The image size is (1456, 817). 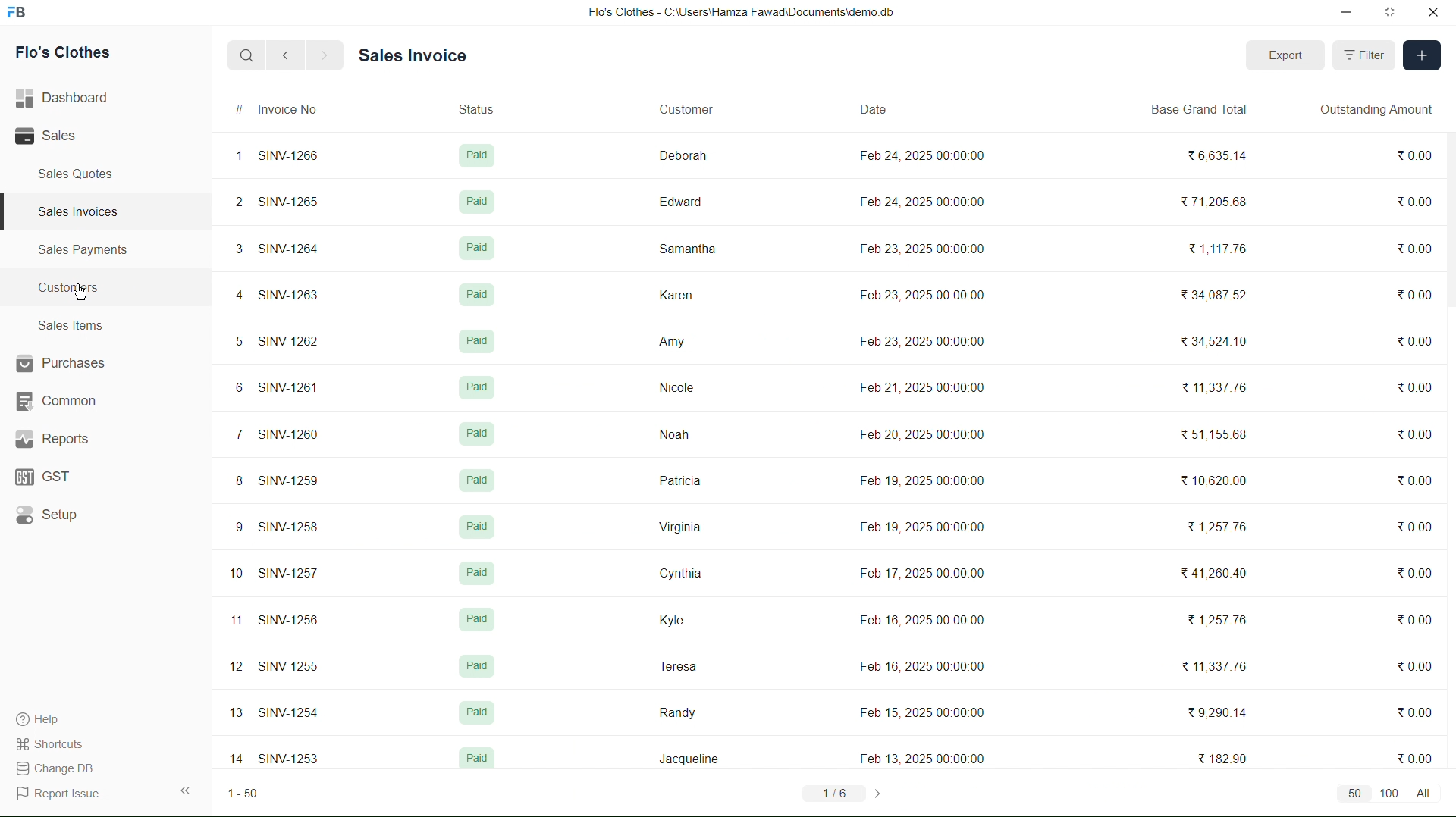 What do you see at coordinates (44, 478) in the screenshot?
I see `GST` at bounding box center [44, 478].